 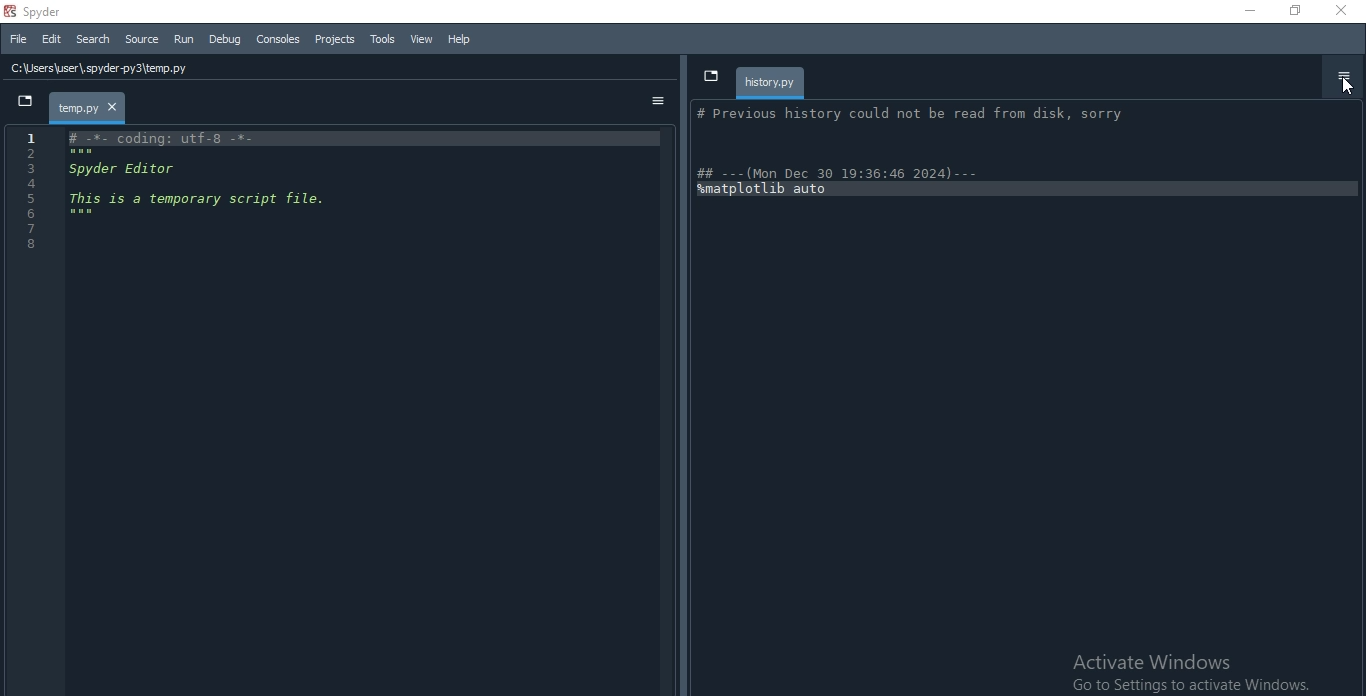 What do you see at coordinates (345, 411) in the screenshot?
I see `IDE` at bounding box center [345, 411].